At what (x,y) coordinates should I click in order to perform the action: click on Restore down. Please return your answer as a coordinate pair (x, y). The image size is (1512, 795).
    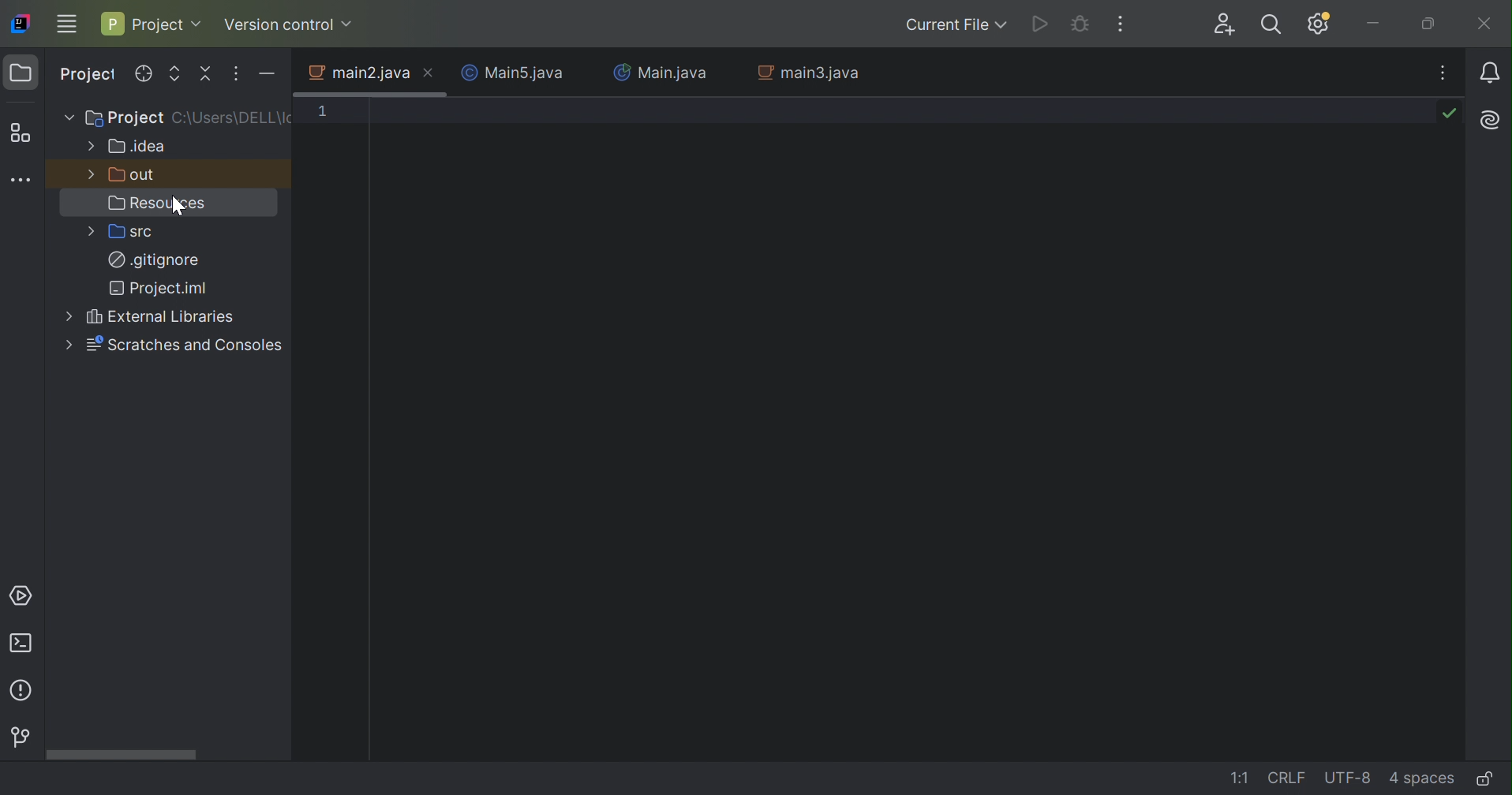
    Looking at the image, I should click on (1429, 24).